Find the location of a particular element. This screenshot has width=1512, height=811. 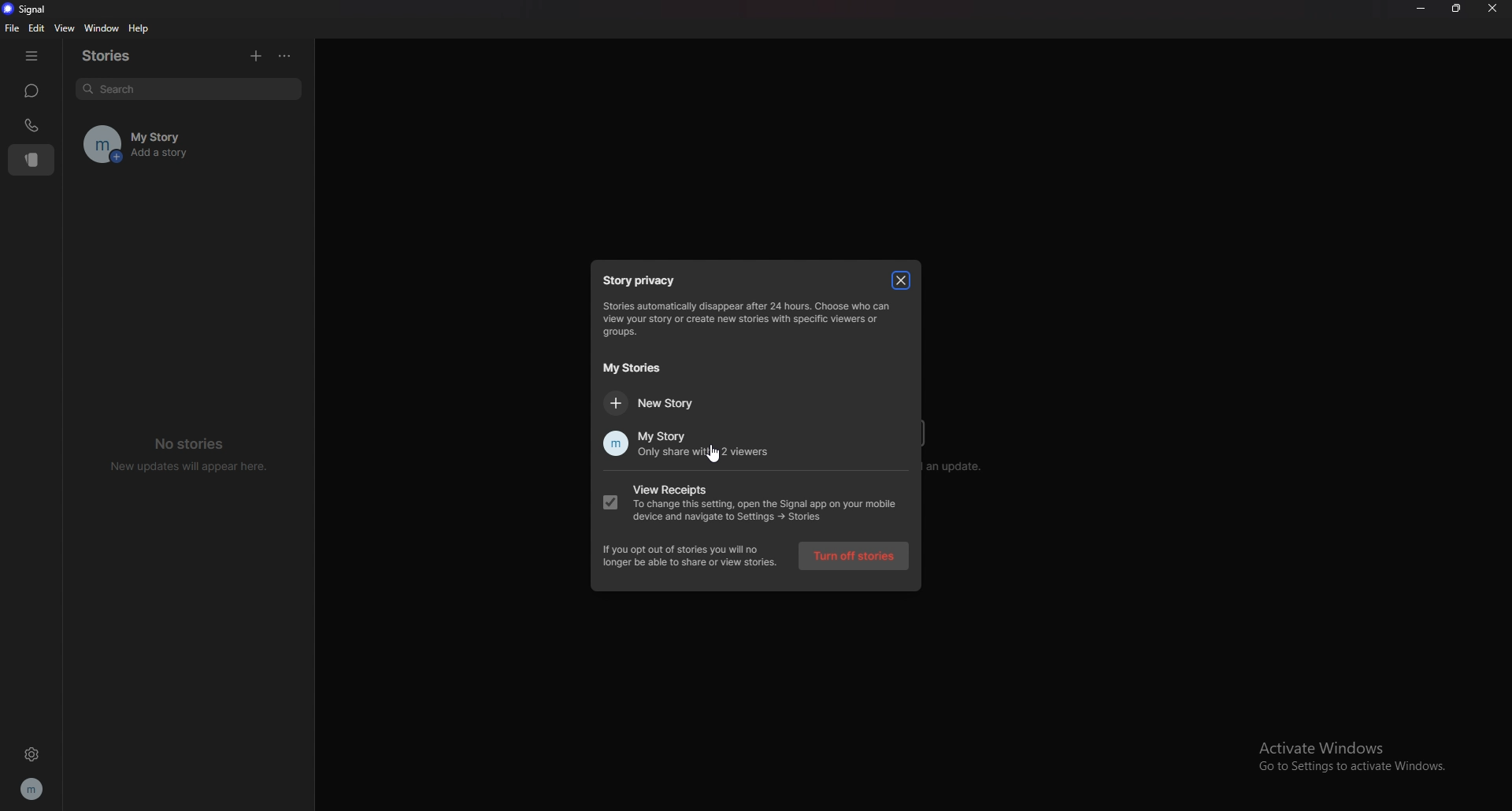

chats is located at coordinates (32, 91).